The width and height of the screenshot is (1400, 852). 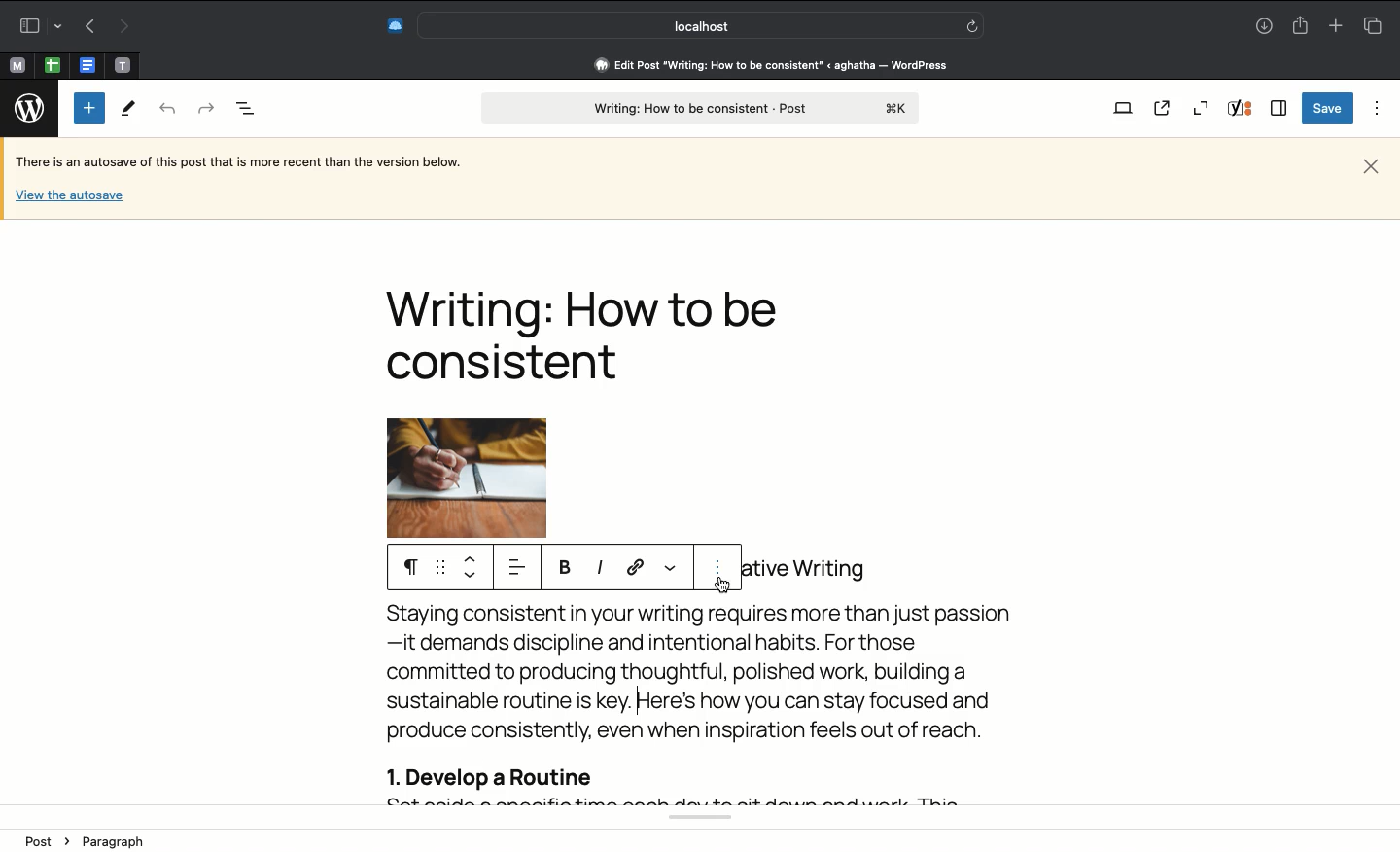 I want to click on View post, so click(x=1166, y=109).